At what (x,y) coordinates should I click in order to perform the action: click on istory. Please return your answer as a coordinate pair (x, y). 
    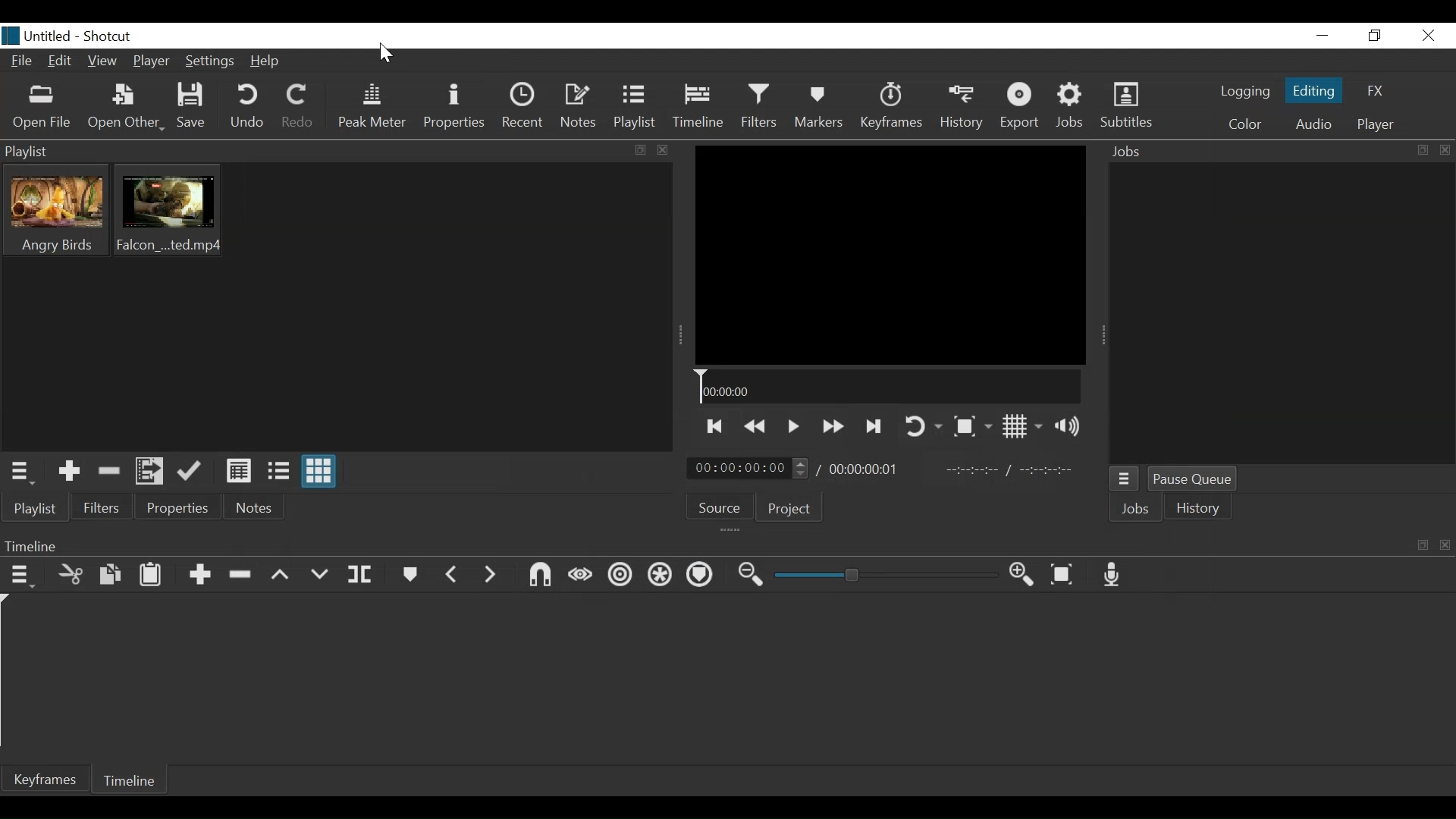
    Looking at the image, I should click on (1202, 508).